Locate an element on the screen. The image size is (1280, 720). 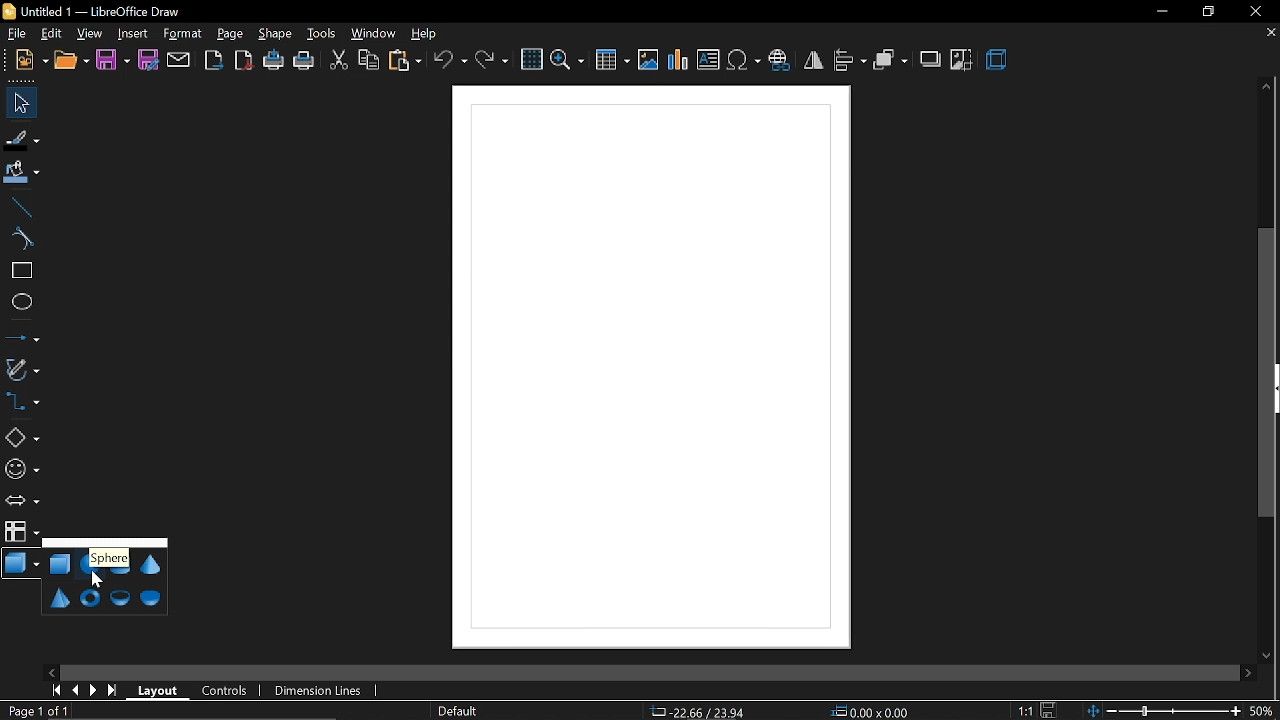
zoom is located at coordinates (567, 59).